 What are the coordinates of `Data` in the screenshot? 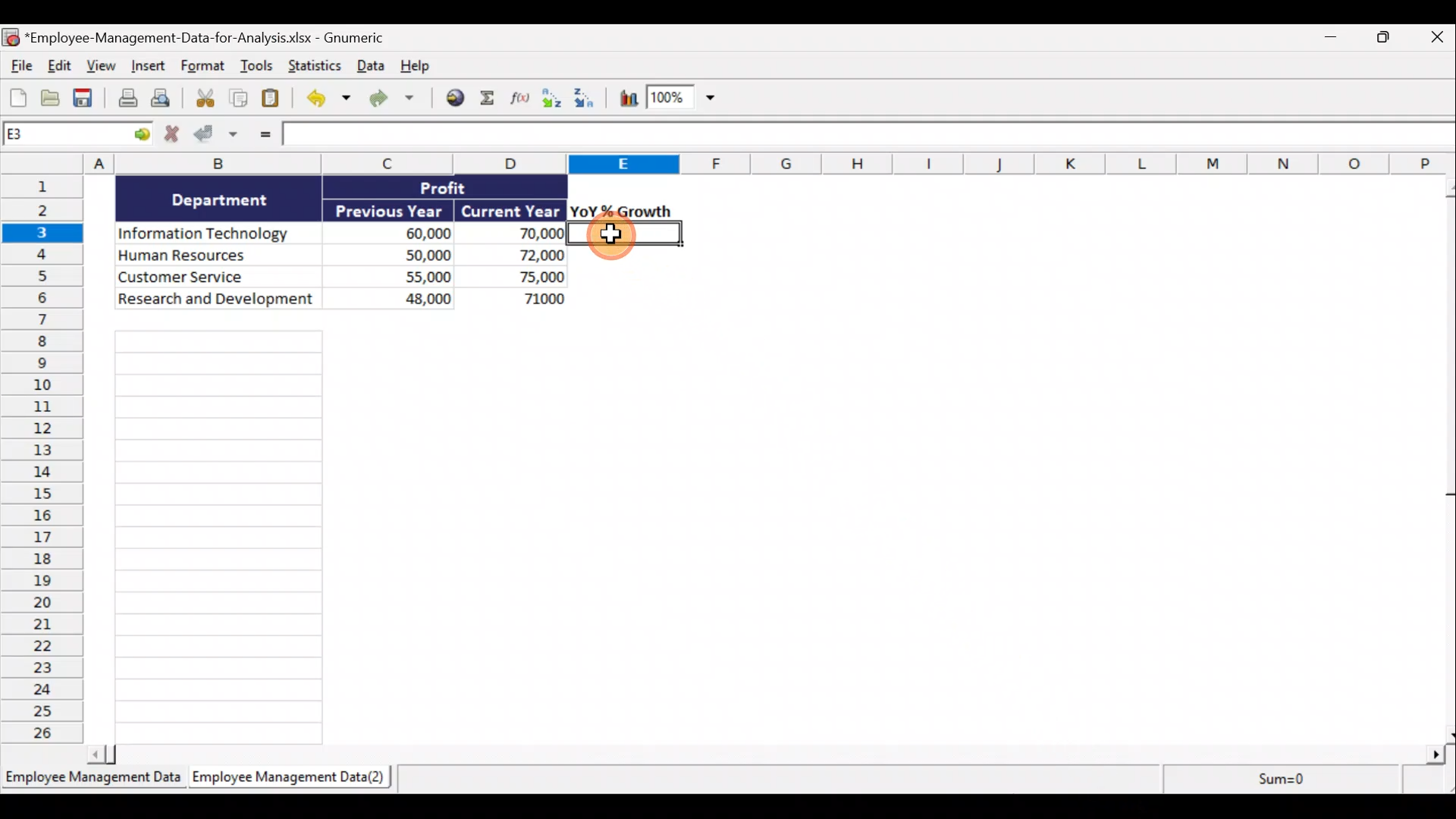 It's located at (368, 67).